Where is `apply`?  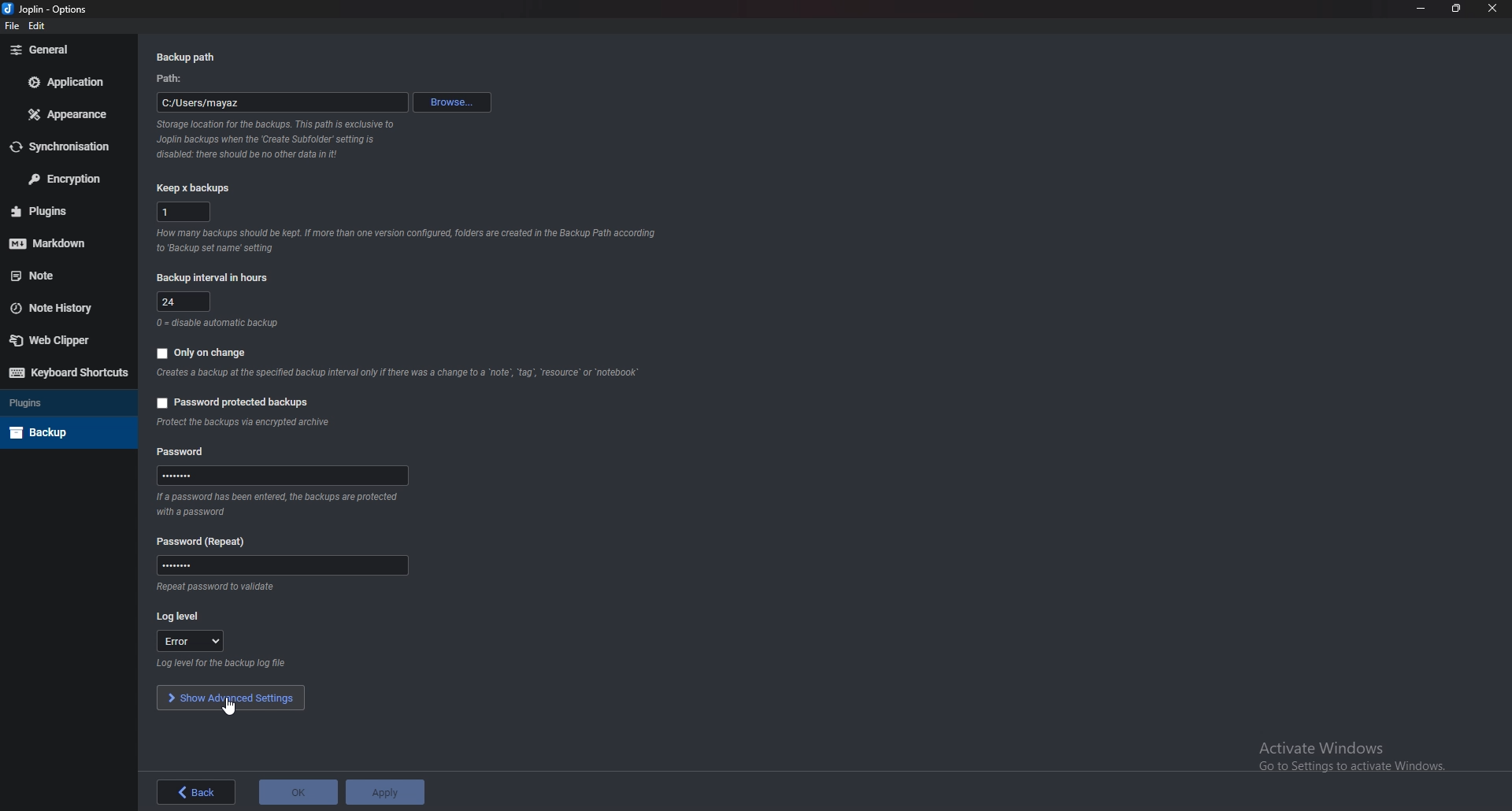 apply is located at coordinates (384, 792).